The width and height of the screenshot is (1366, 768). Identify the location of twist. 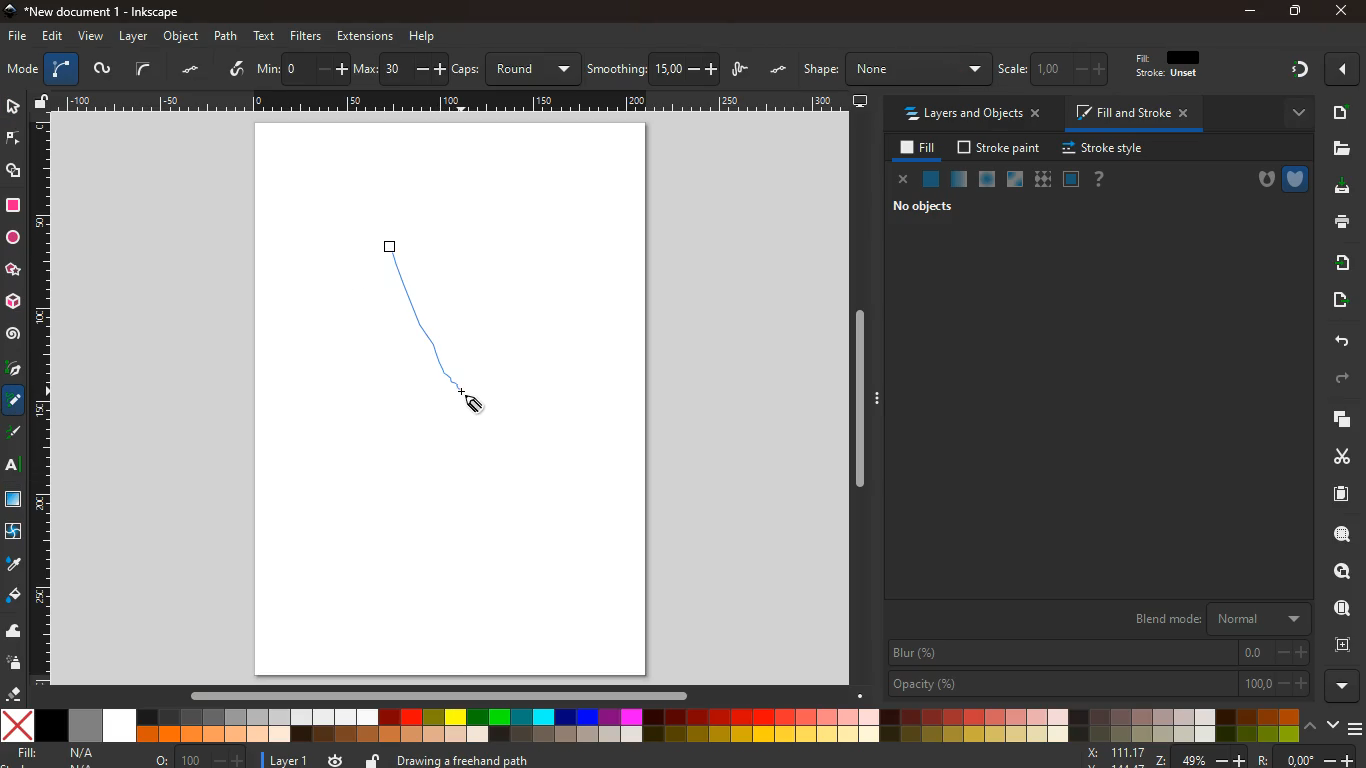
(12, 534).